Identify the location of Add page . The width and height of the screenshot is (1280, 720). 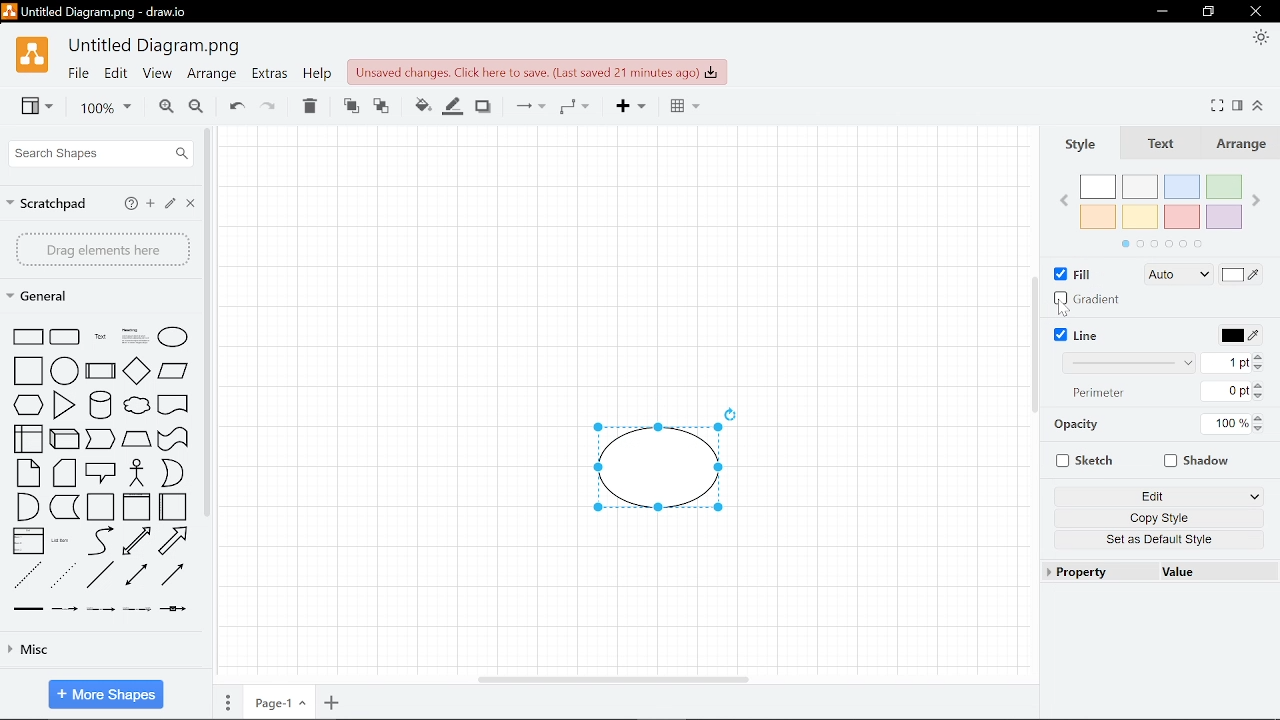
(332, 702).